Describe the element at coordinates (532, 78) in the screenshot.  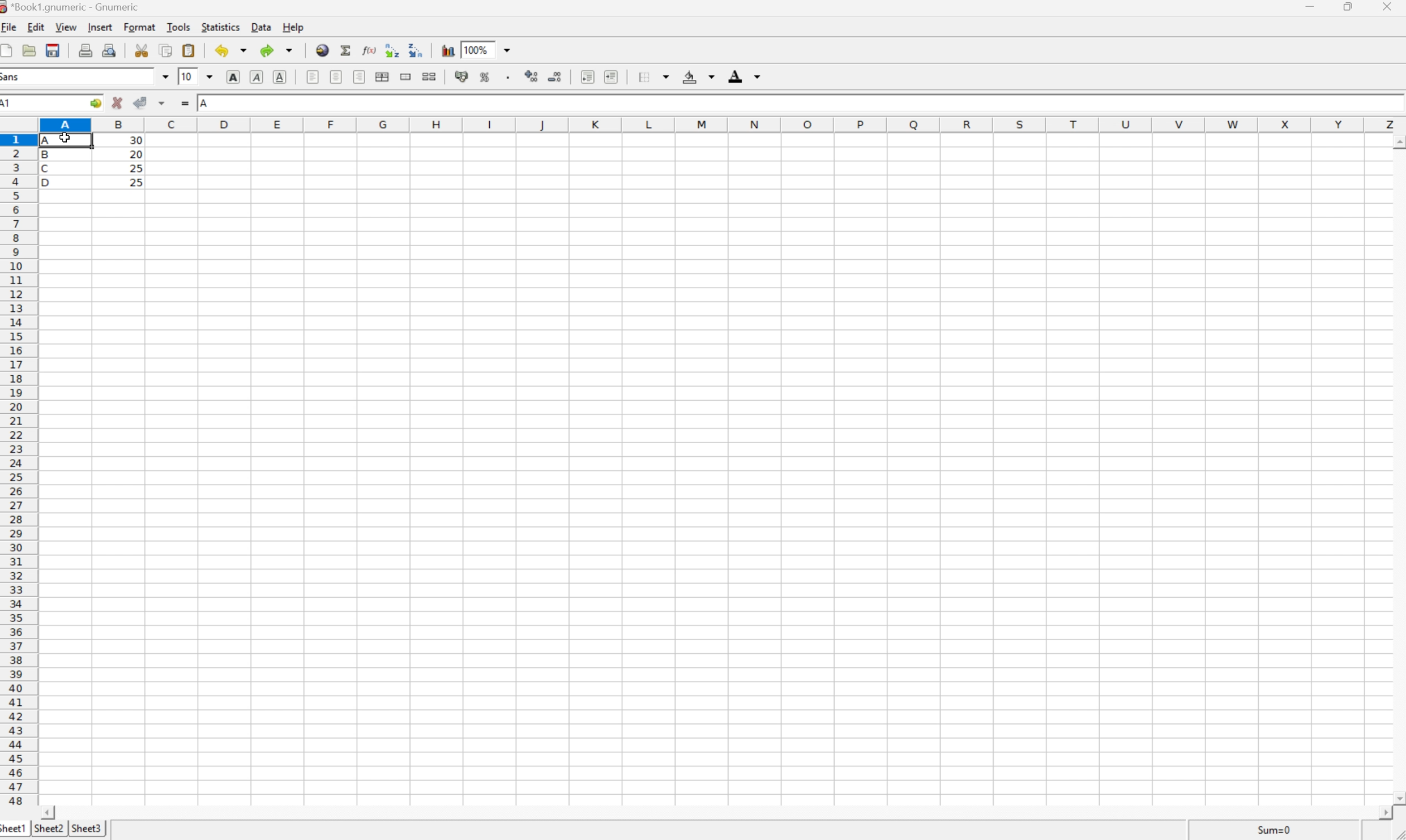
I see `Increase number of decimals displayed` at that location.